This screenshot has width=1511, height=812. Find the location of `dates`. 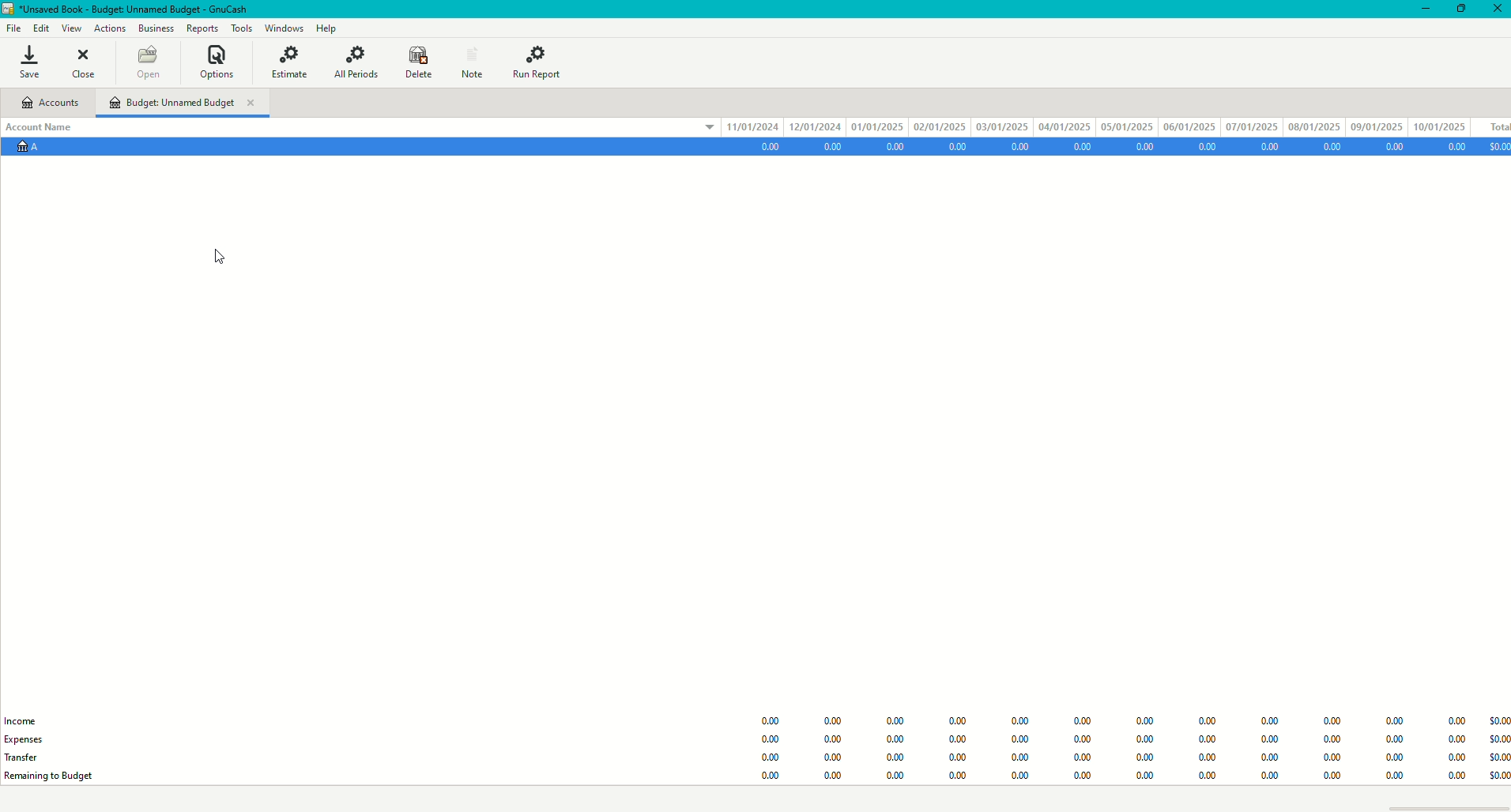

dates is located at coordinates (1100, 125).